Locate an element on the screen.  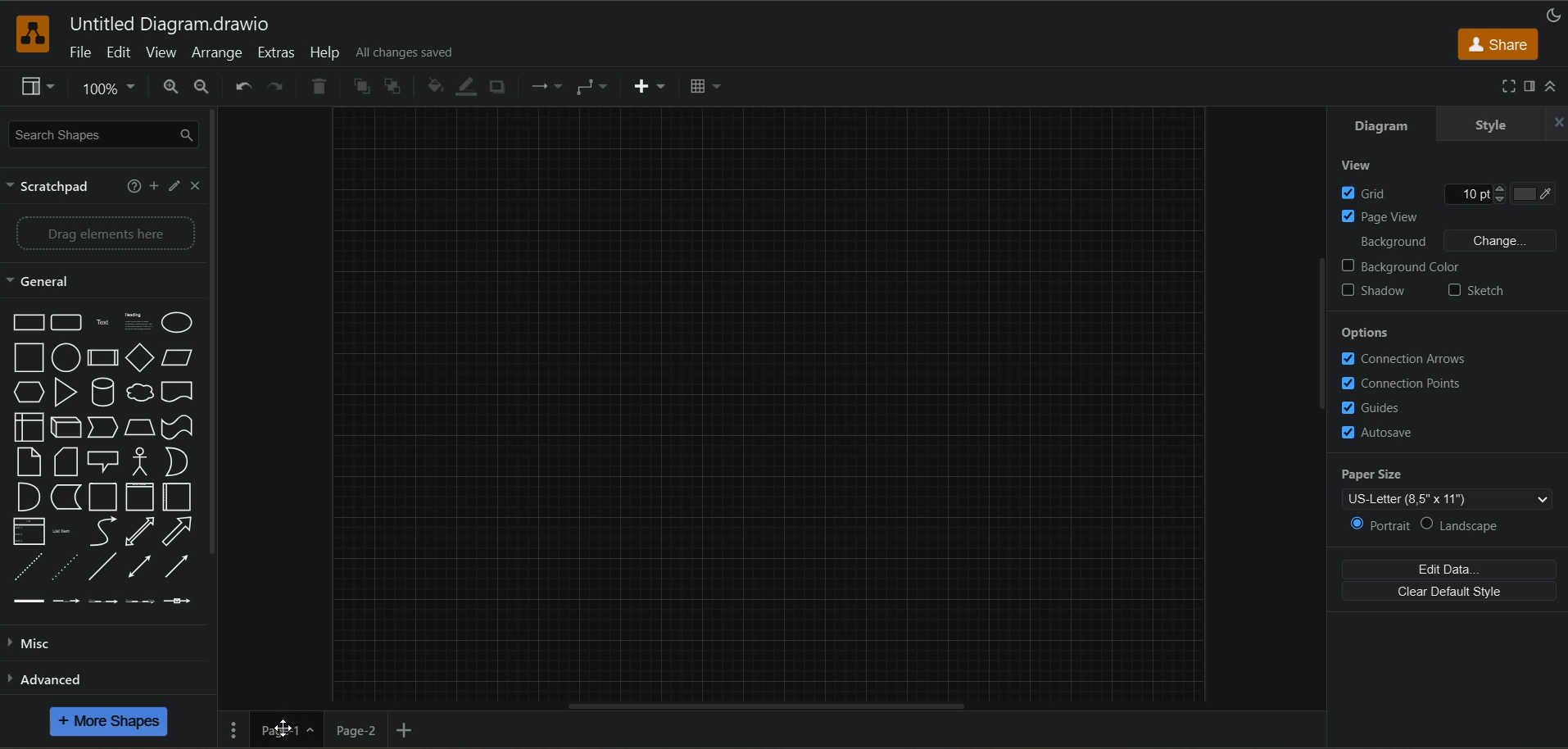
options is located at coordinates (1368, 332).